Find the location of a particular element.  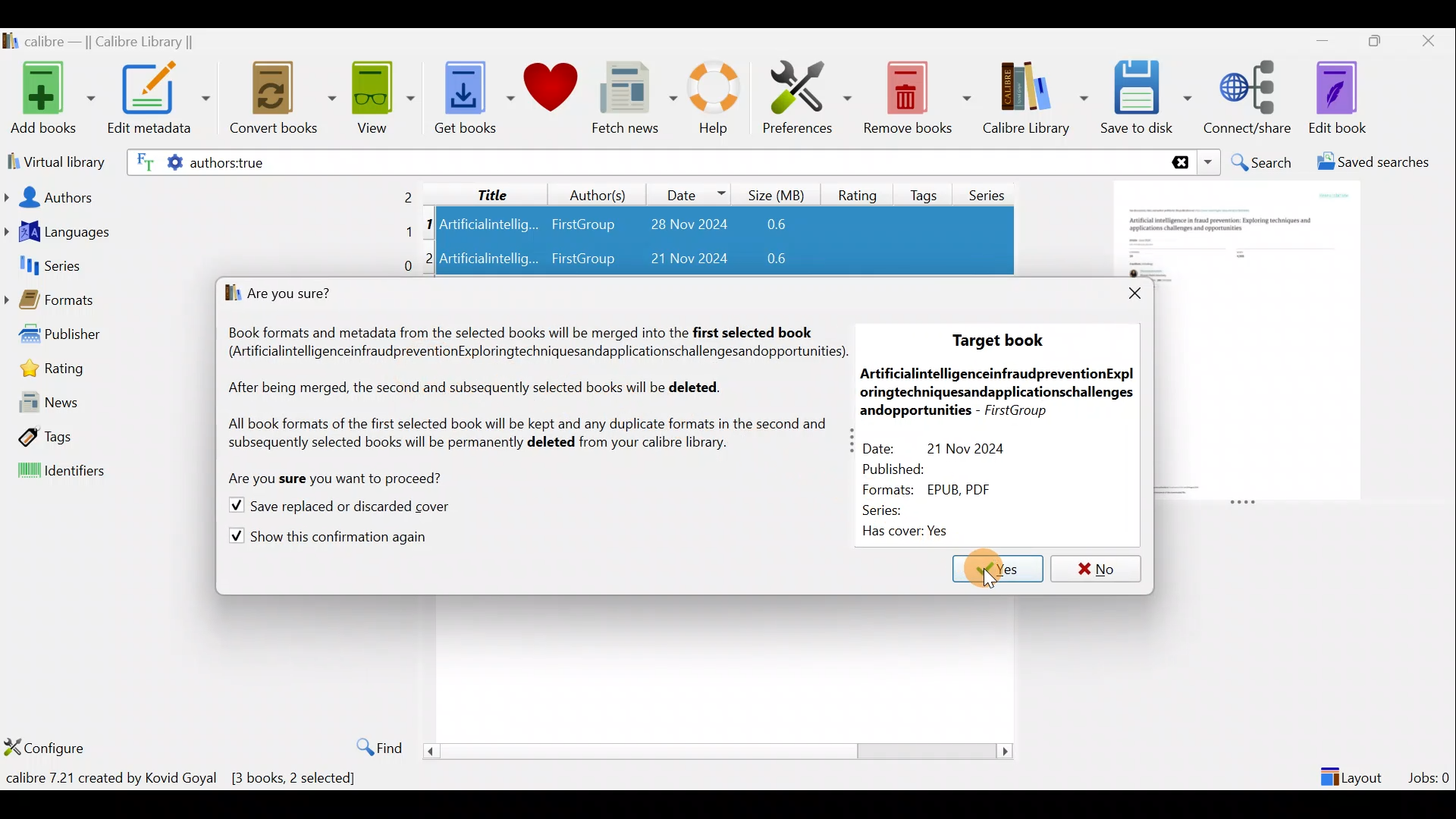

Get books is located at coordinates (472, 96).